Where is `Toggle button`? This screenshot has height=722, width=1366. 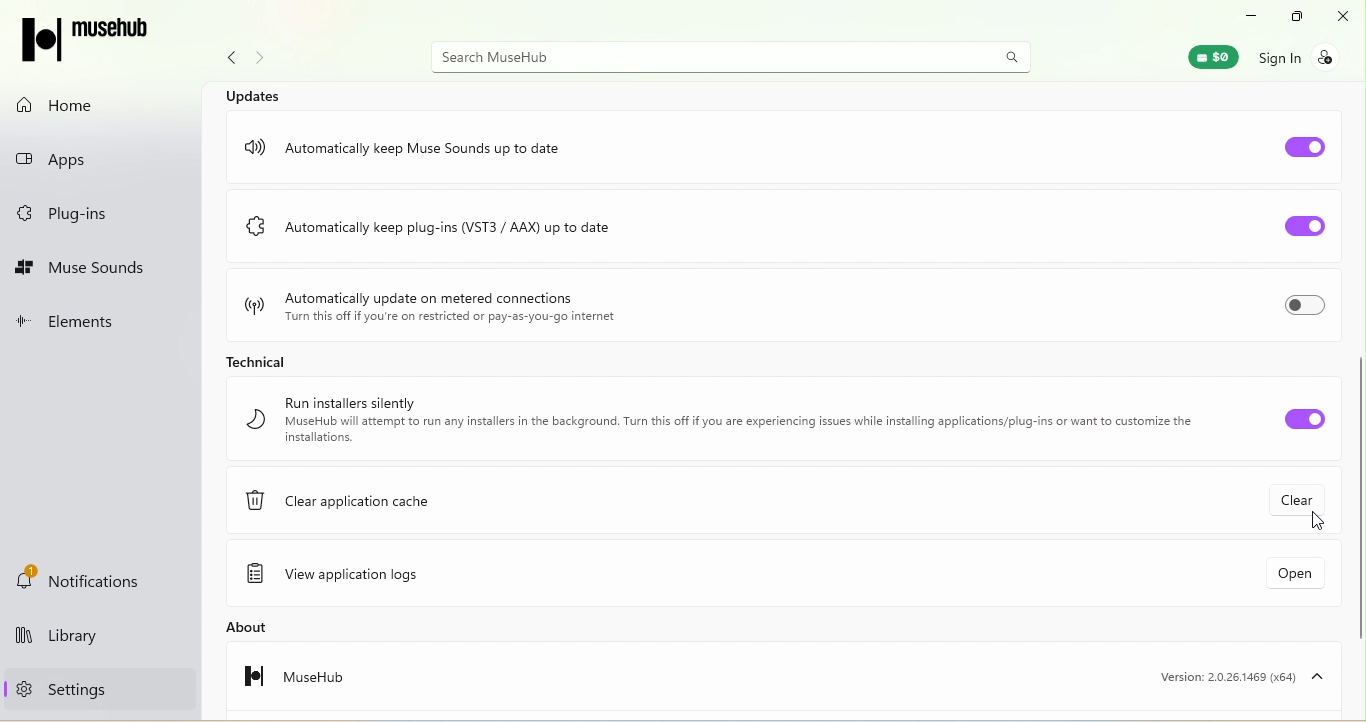 Toggle button is located at coordinates (1295, 228).